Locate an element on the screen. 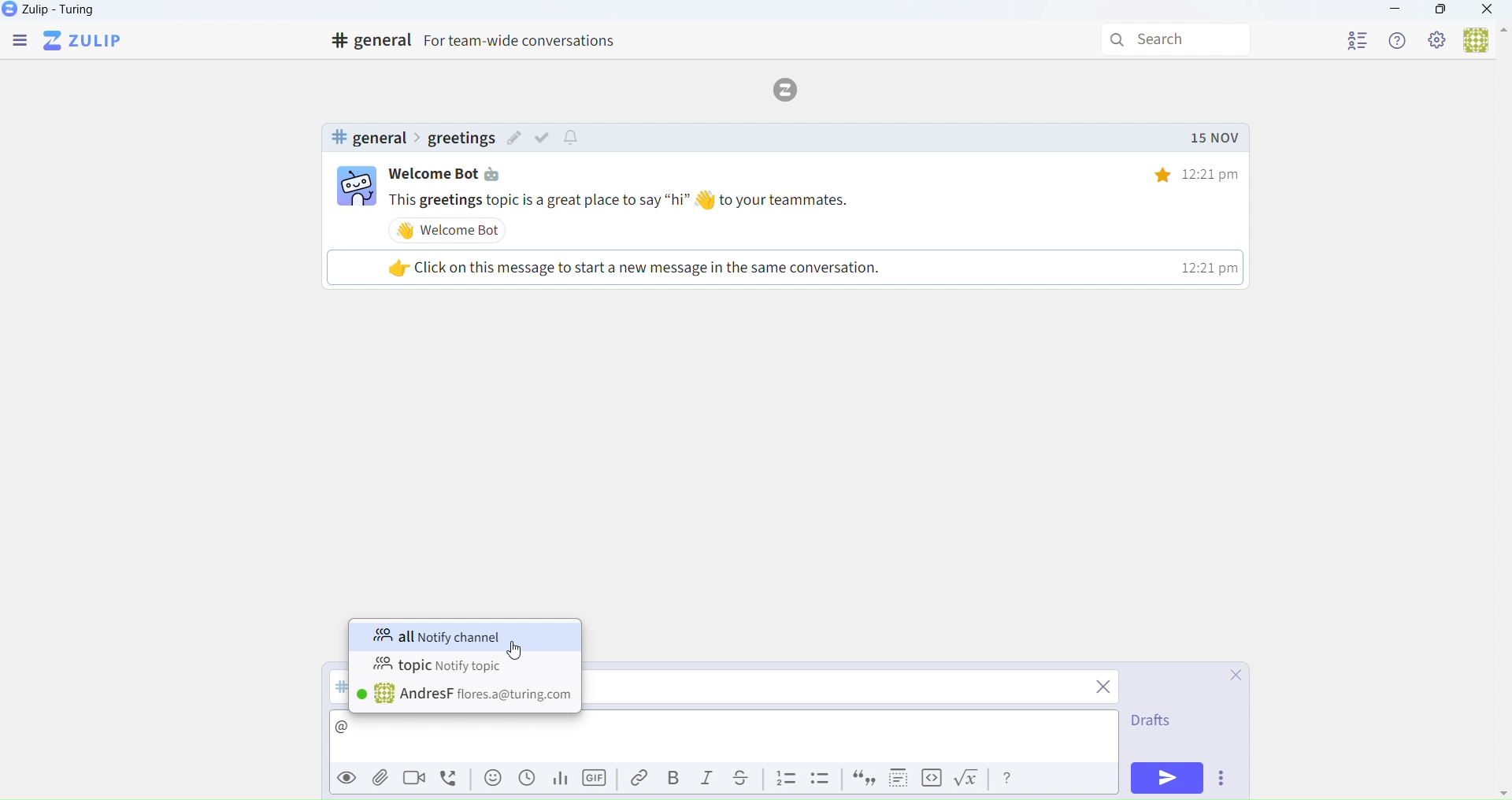  Search is located at coordinates (1179, 40).